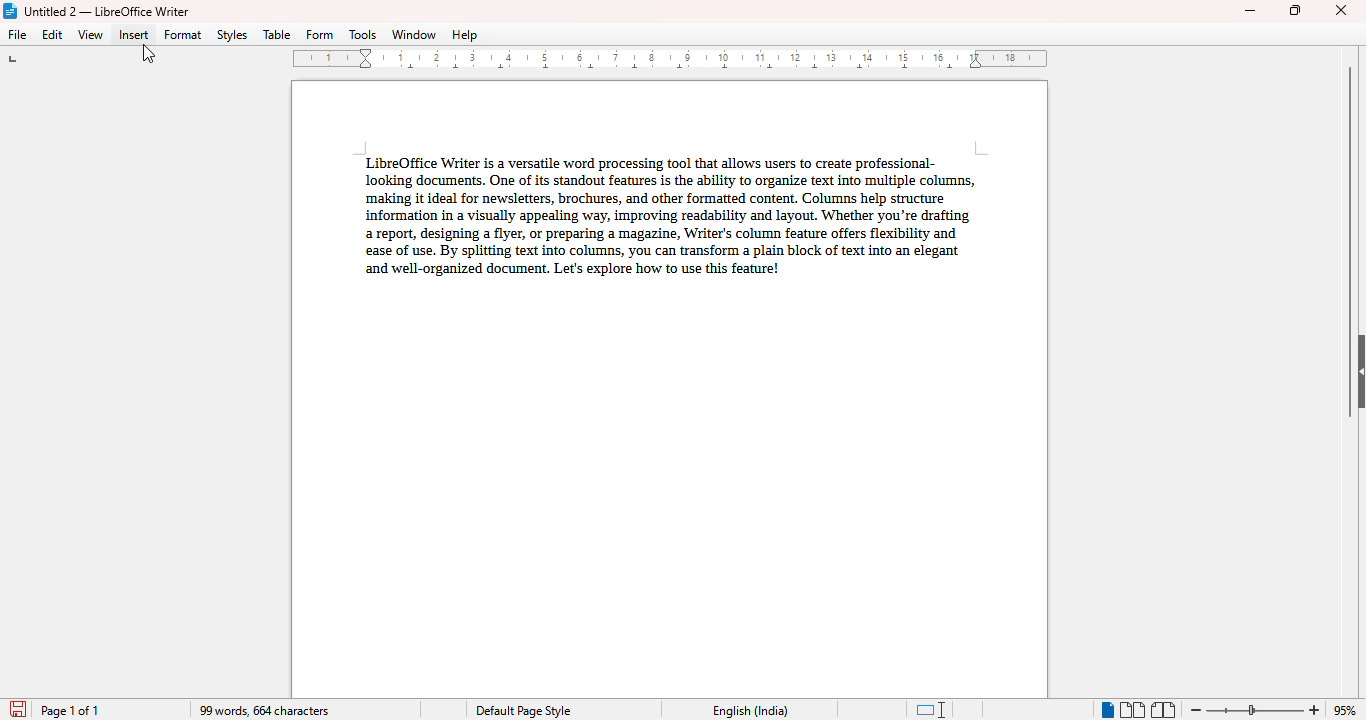 Image resolution: width=1366 pixels, height=720 pixels. What do you see at coordinates (1347, 709) in the screenshot?
I see `95% (current zoom level)` at bounding box center [1347, 709].